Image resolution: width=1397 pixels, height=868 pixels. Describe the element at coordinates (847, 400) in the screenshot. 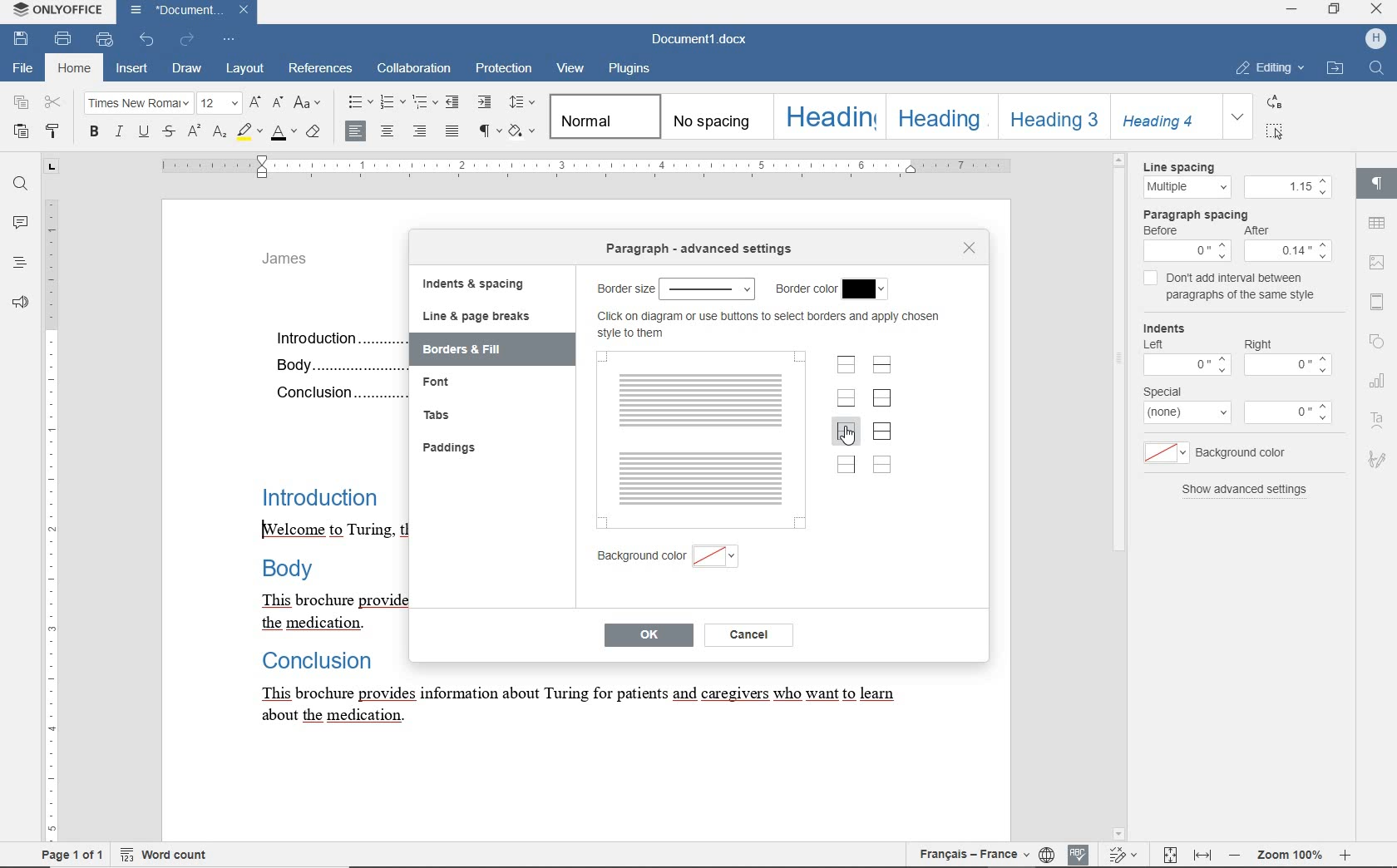

I see `set bottom order only` at that location.